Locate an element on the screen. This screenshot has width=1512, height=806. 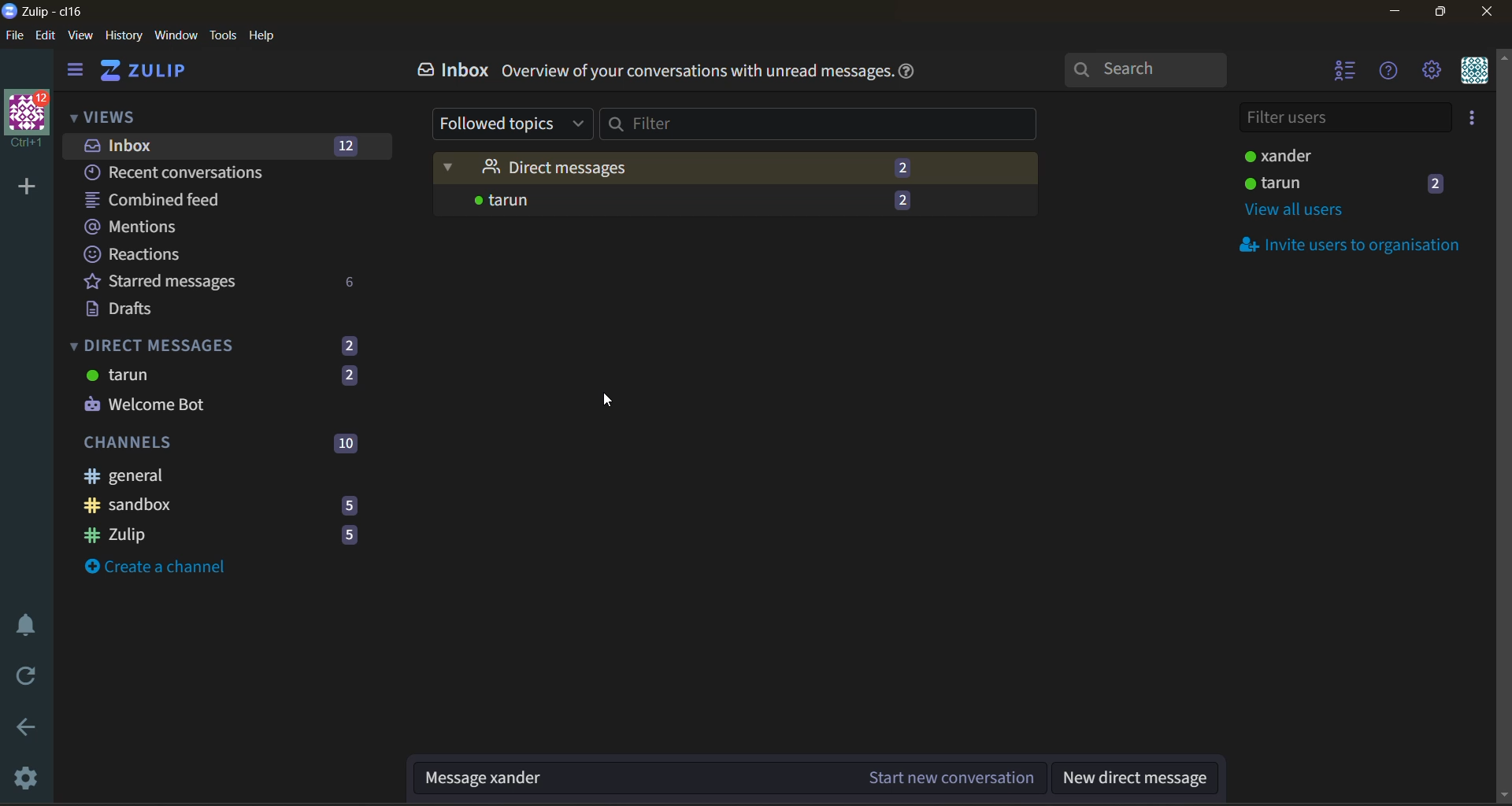
invite users to organisation is located at coordinates (1473, 120).